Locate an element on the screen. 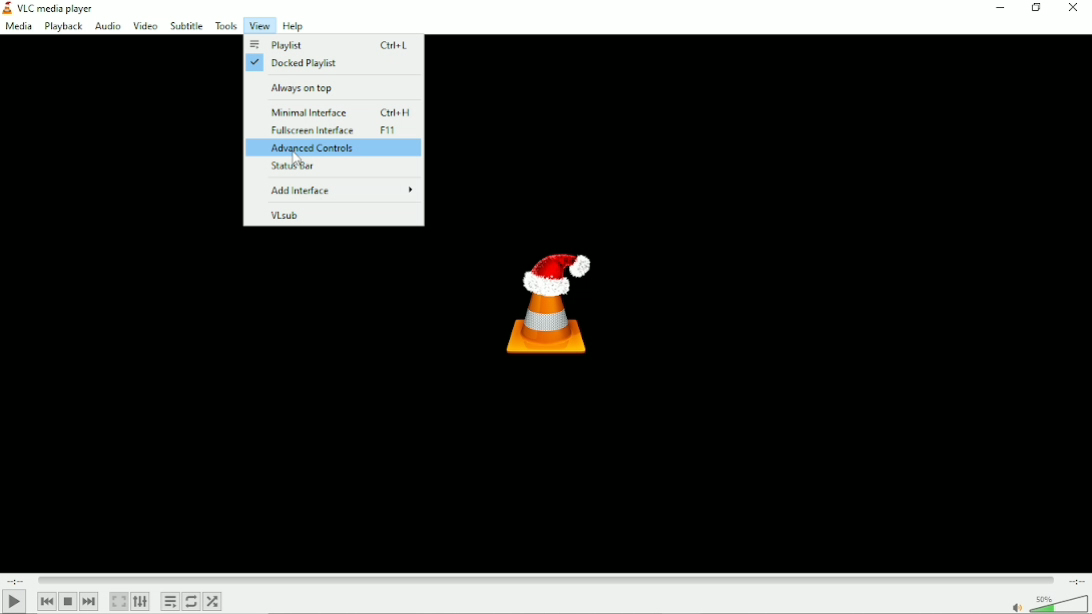 The width and height of the screenshot is (1092, 614). Toggle playlist is located at coordinates (170, 601).